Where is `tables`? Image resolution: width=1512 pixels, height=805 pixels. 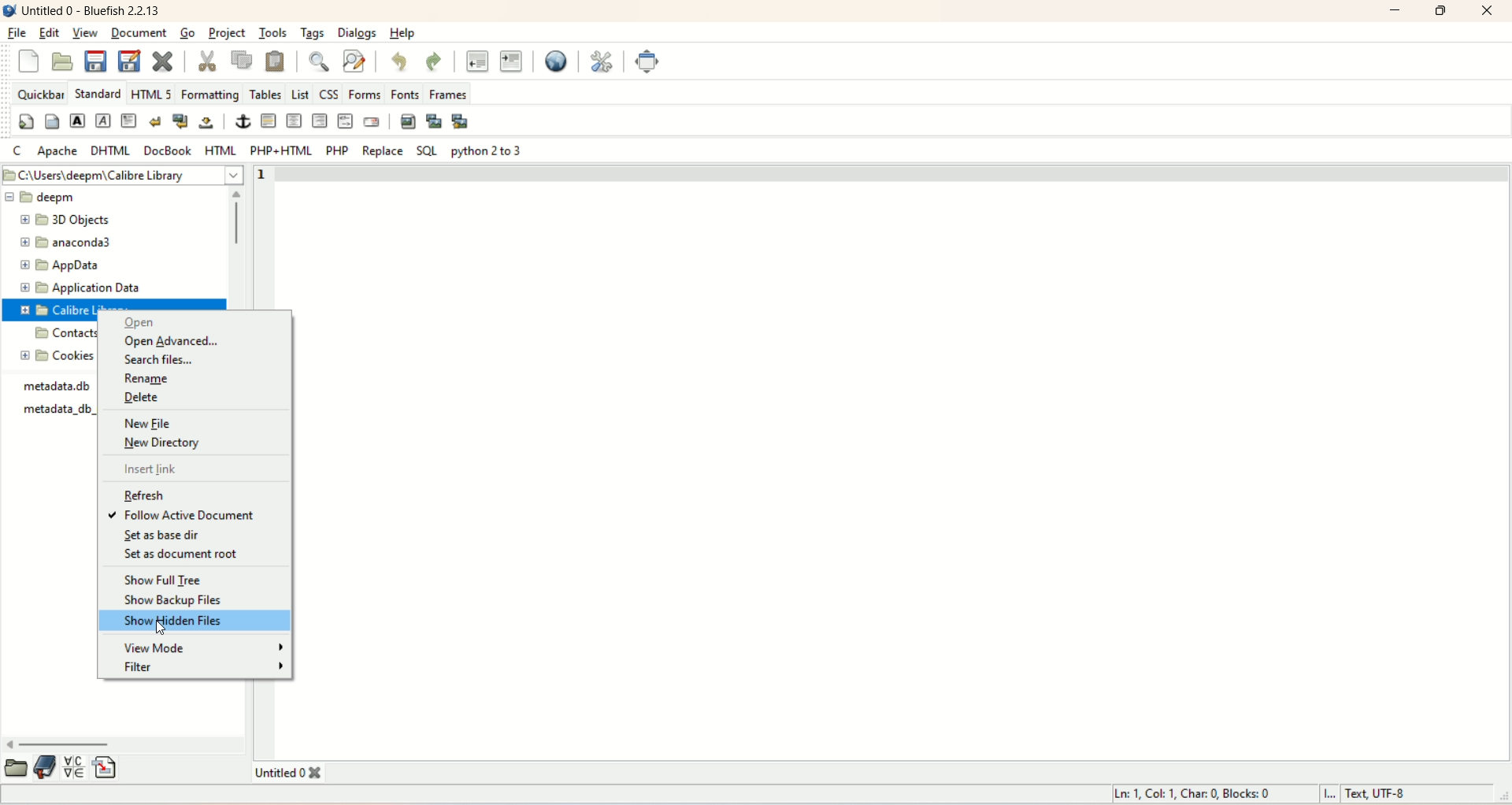
tables is located at coordinates (265, 93).